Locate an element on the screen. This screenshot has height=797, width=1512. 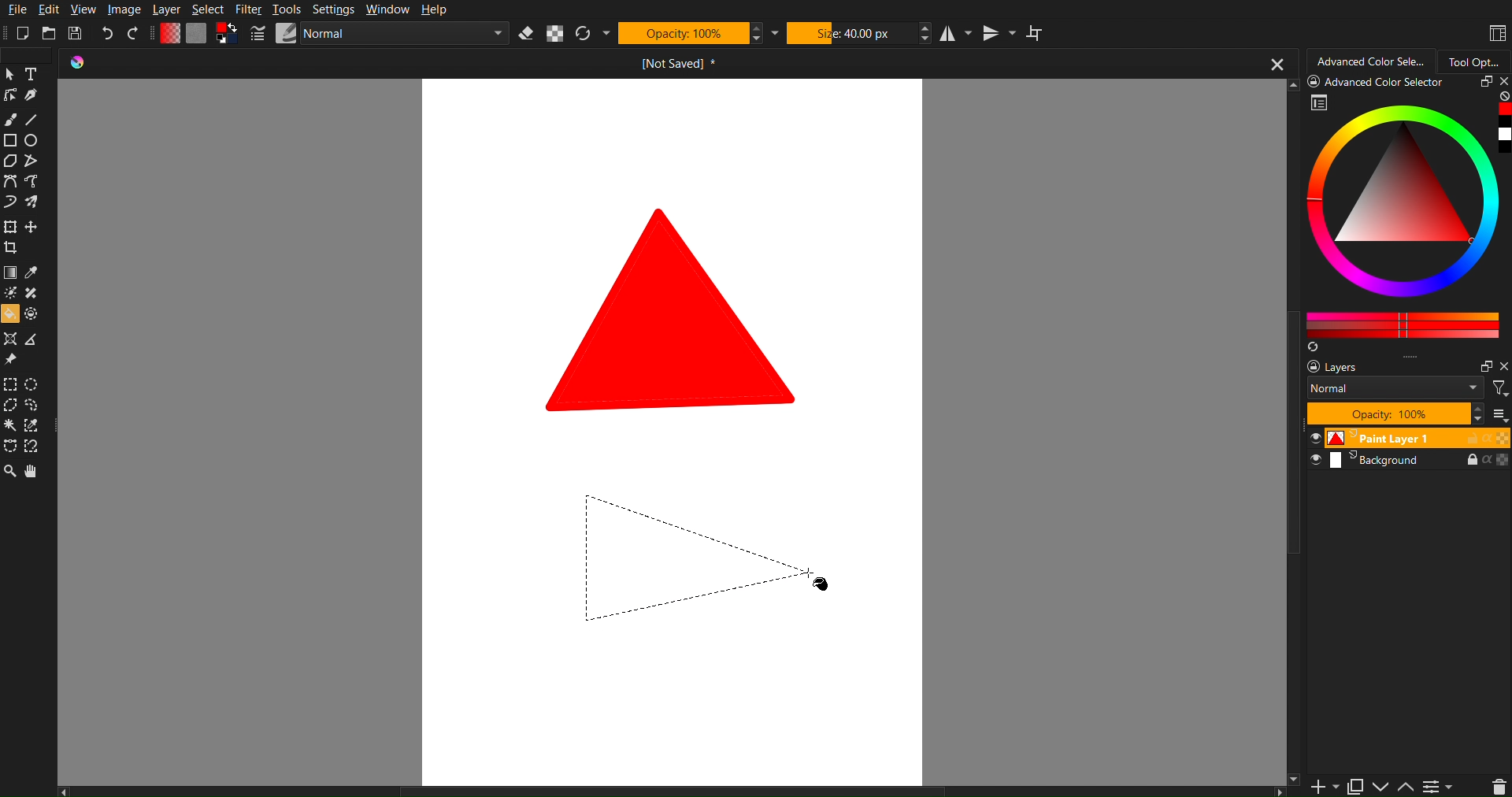
Vertical Scrollbar is located at coordinates (1295, 629).